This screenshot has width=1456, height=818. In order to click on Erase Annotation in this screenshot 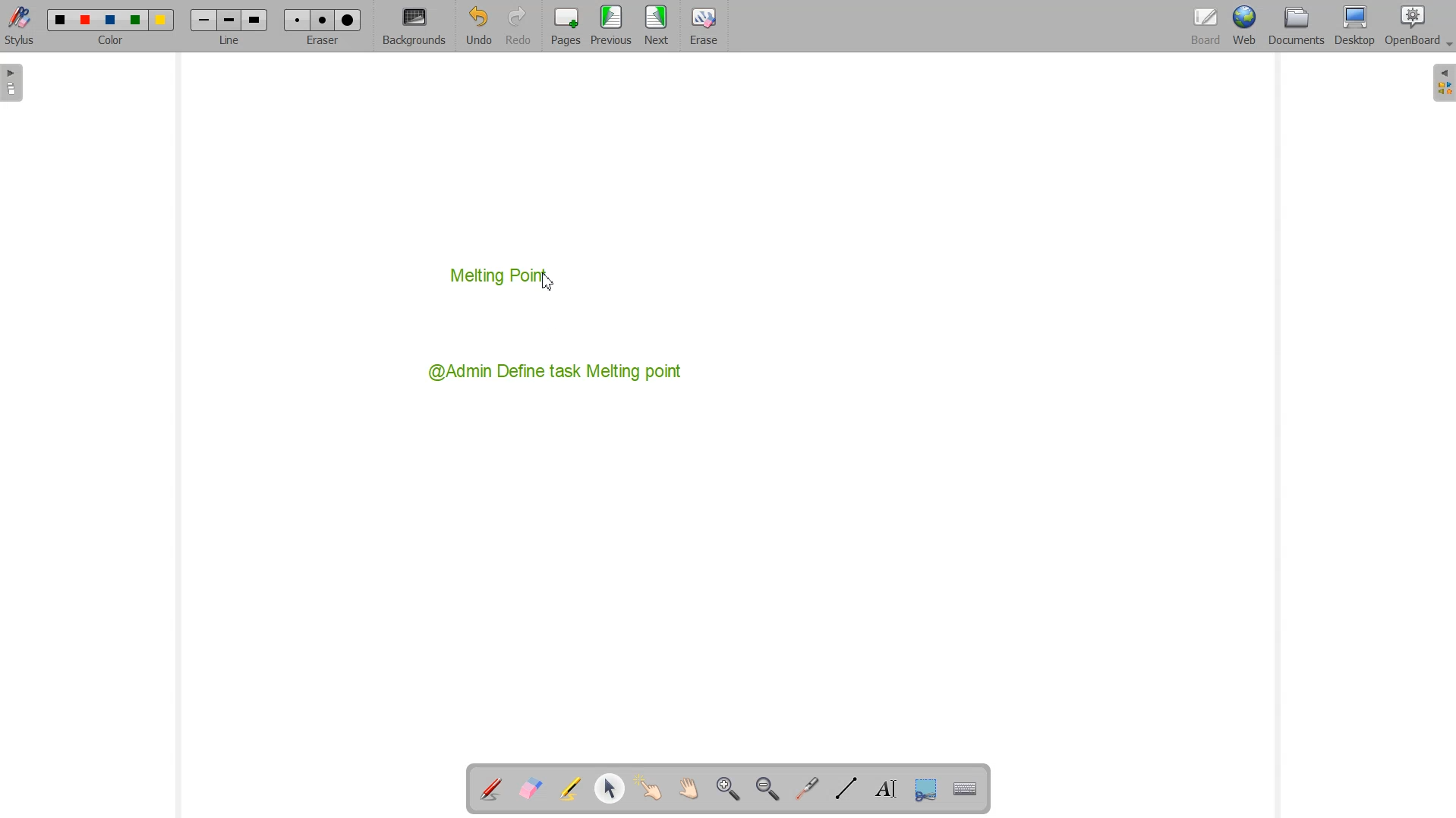, I will do `click(530, 789)`.